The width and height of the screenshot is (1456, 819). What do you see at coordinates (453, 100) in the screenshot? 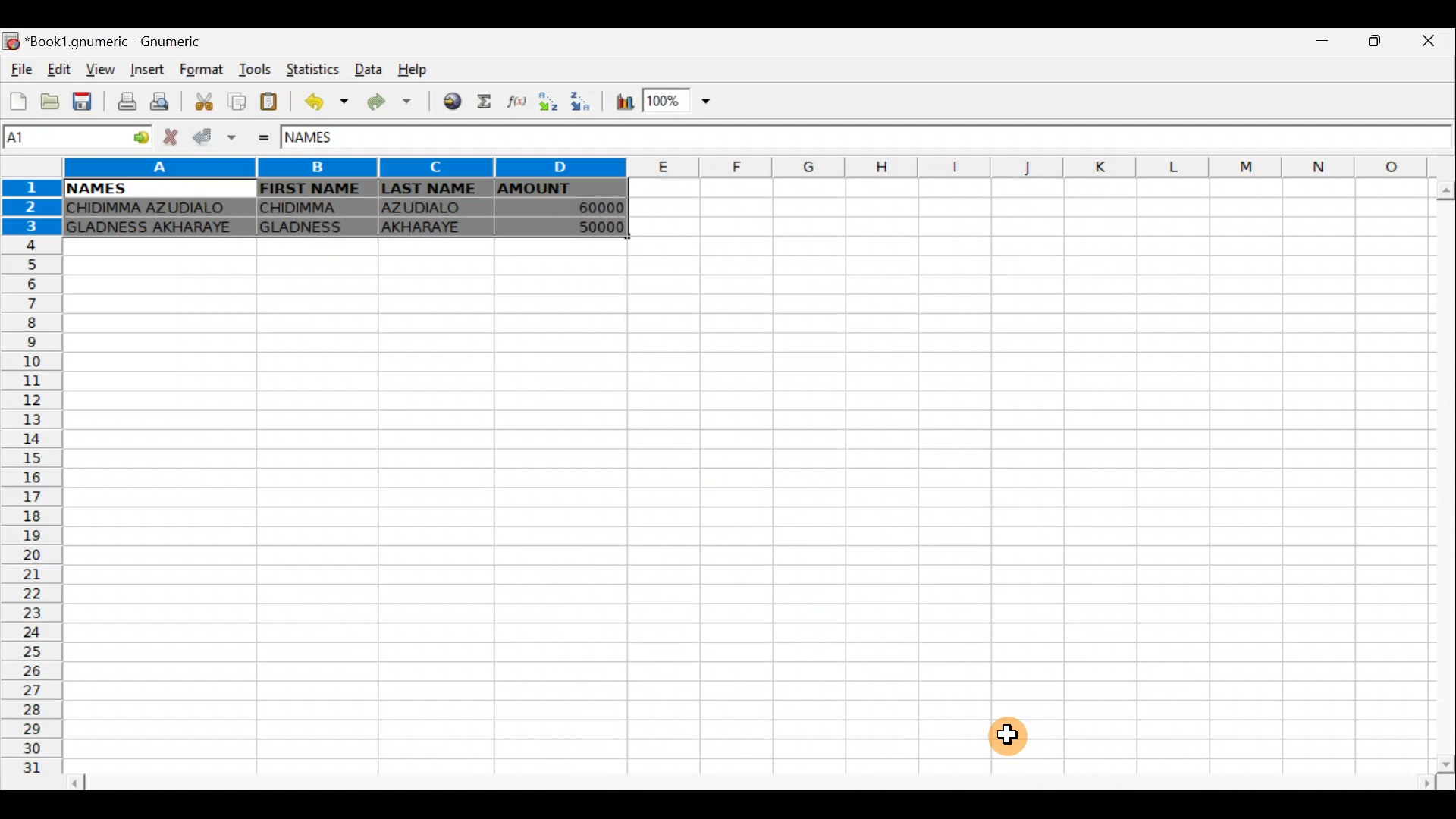
I see `Insert hyperlink` at bounding box center [453, 100].